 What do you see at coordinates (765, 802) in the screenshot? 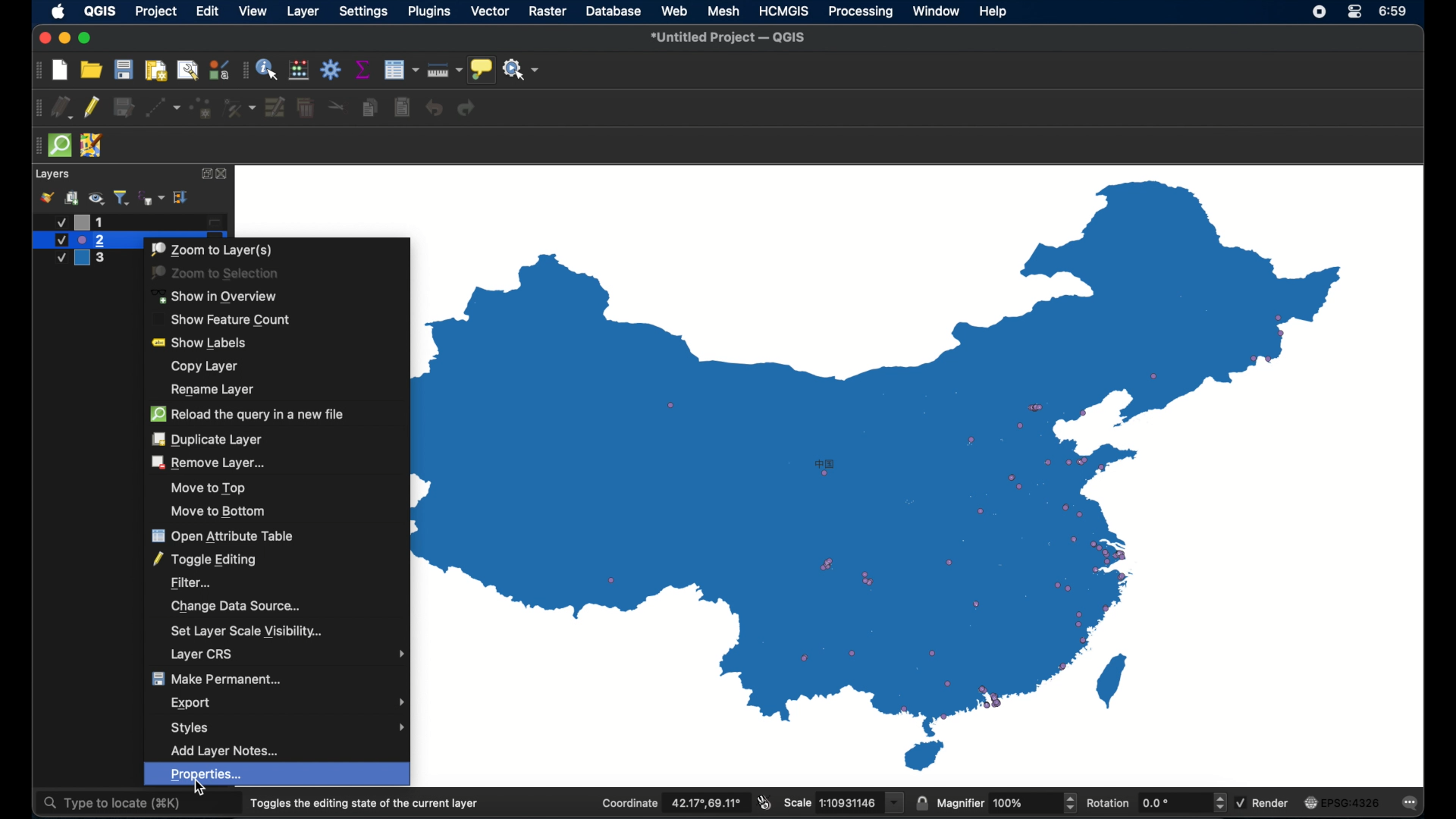
I see `toggle extents and mouse display position` at bounding box center [765, 802].